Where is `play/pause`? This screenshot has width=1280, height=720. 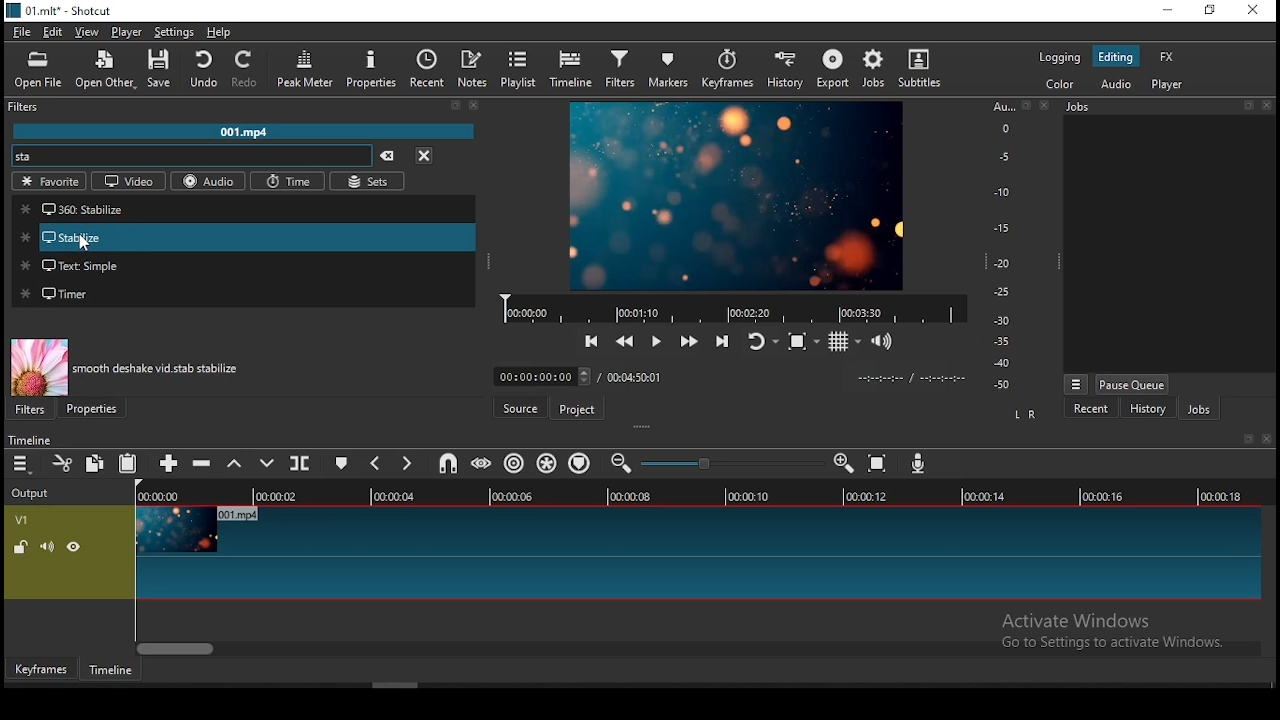 play/pause is located at coordinates (653, 342).